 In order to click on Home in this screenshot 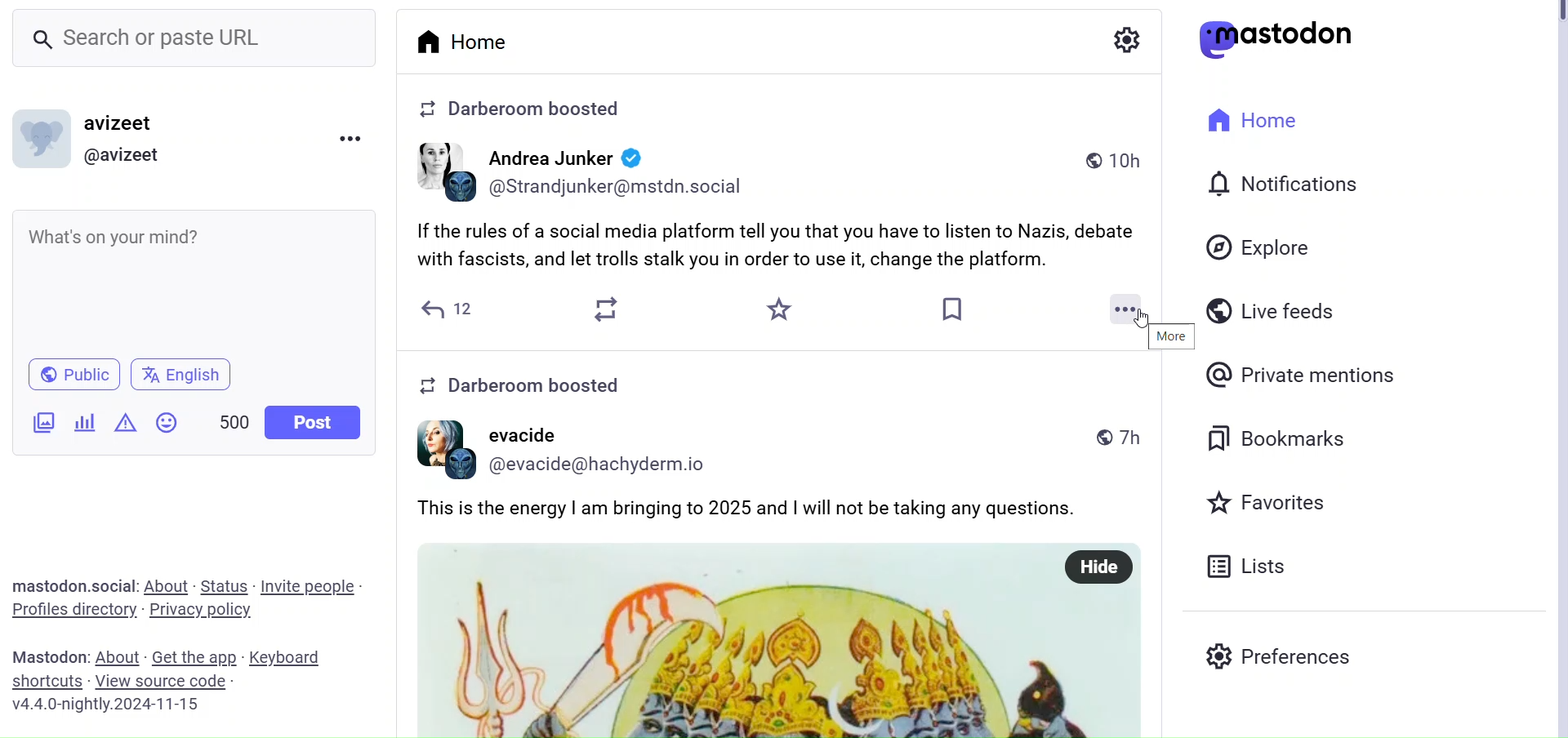, I will do `click(1253, 120)`.